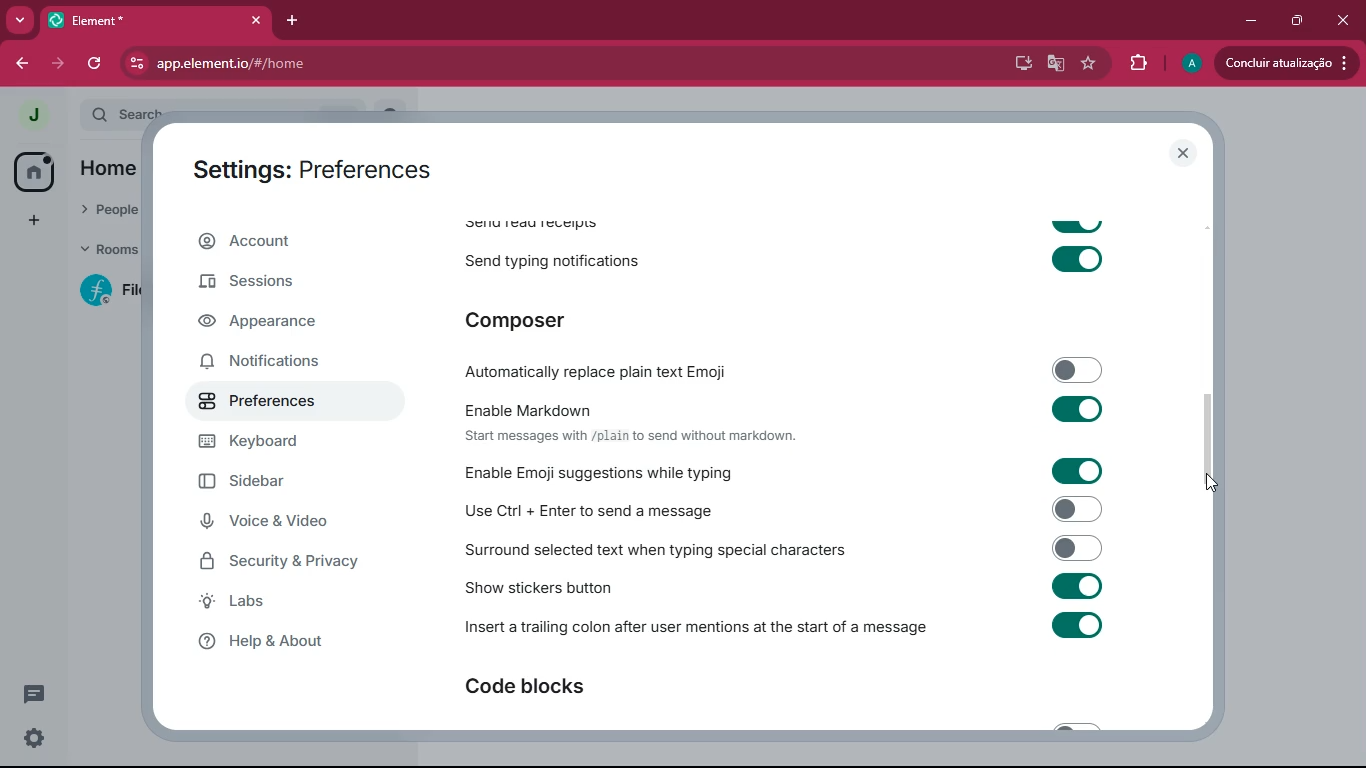  I want to click on google translate, so click(1054, 63).